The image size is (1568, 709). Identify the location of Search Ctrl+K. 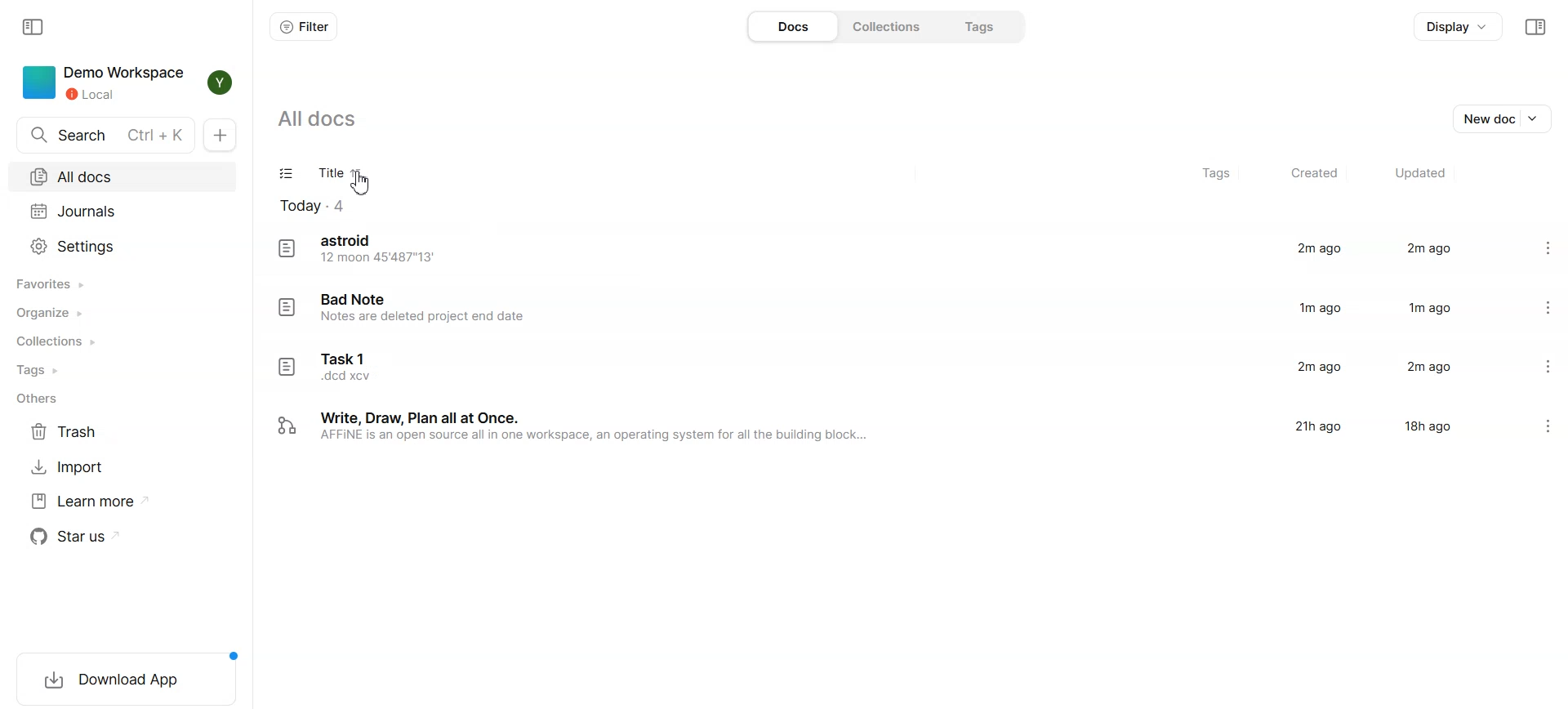
(103, 135).